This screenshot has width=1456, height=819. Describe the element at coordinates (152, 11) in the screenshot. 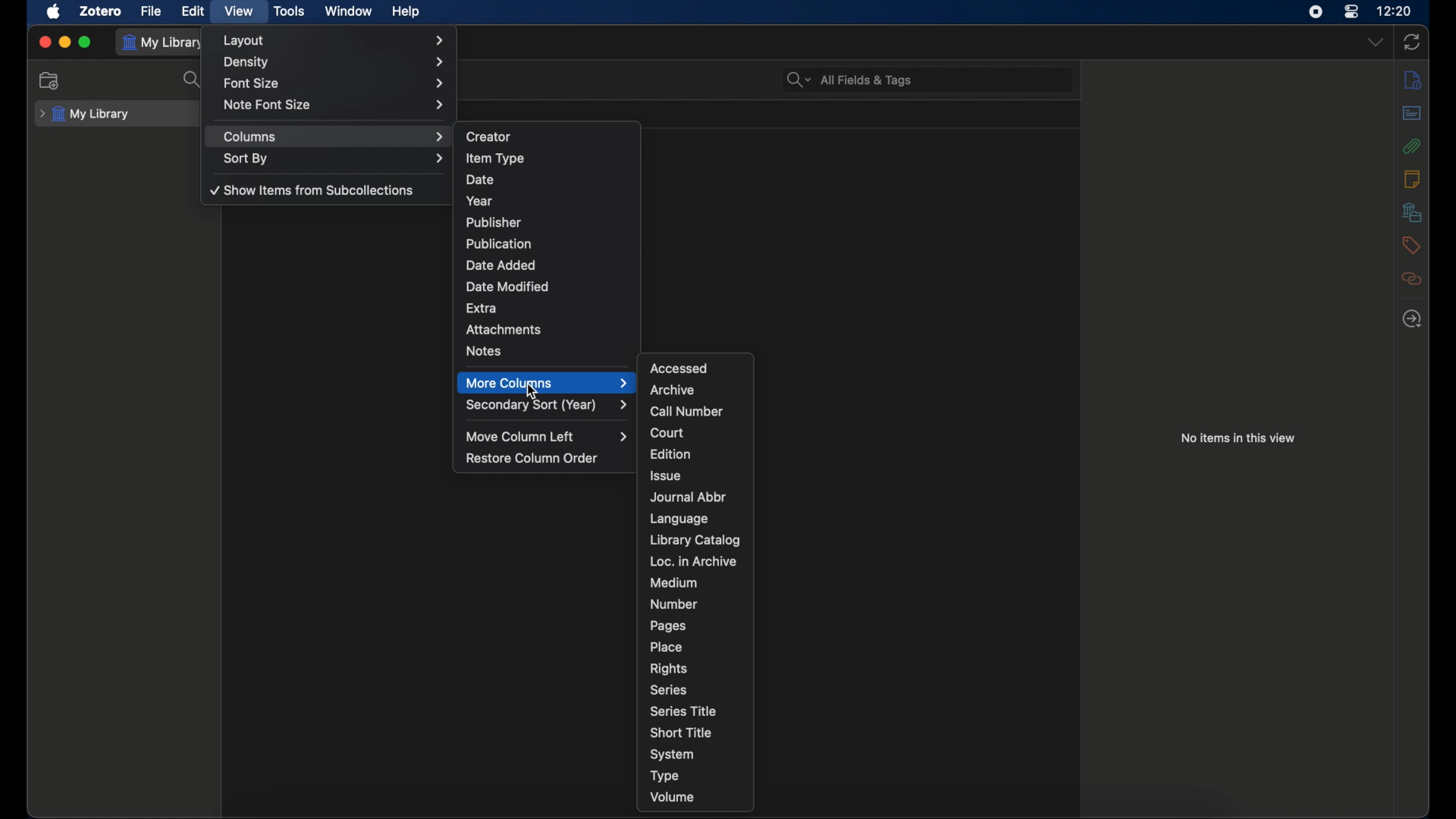

I see `file` at that location.